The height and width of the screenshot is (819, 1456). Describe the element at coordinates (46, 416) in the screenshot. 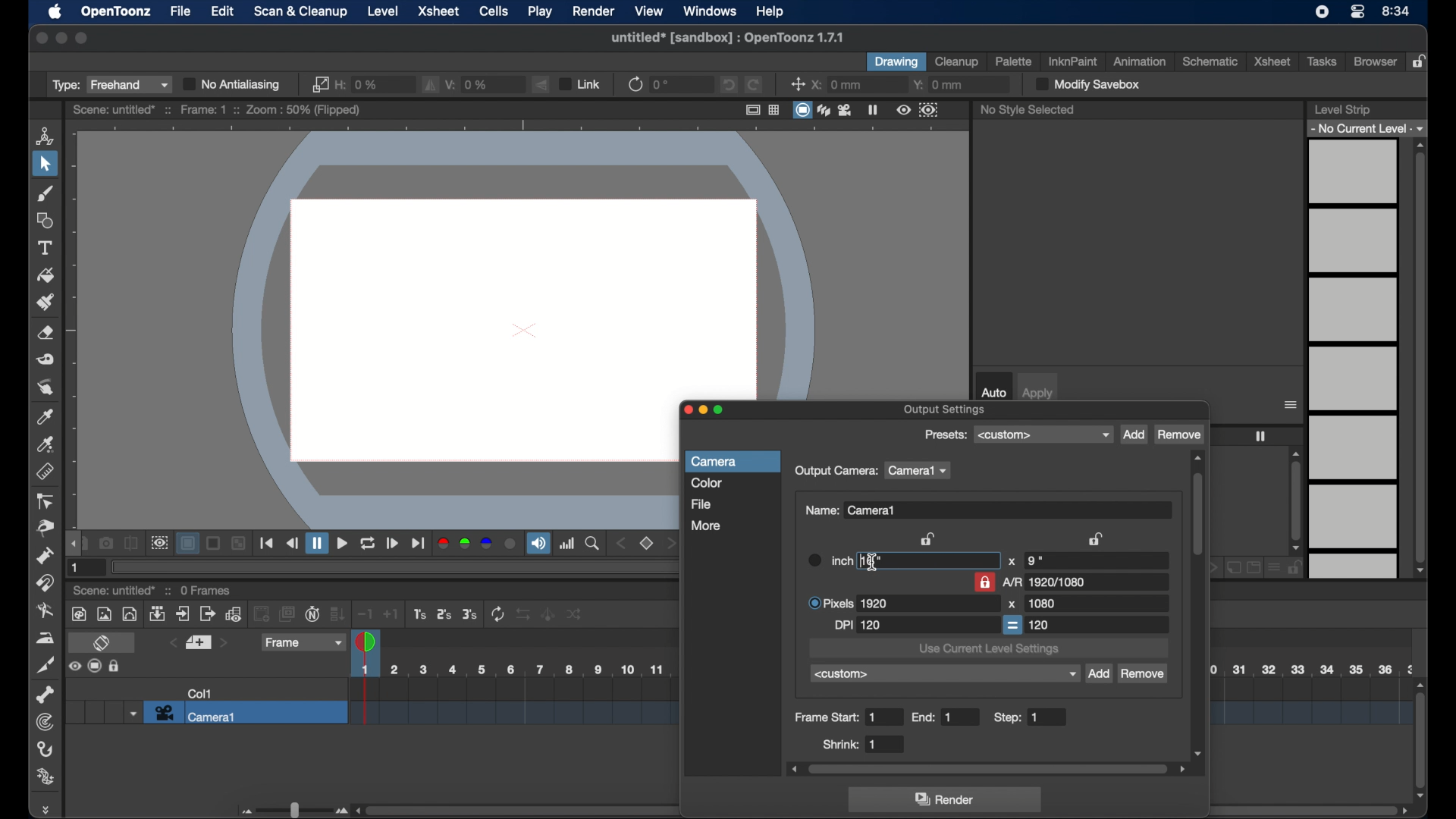

I see `color picker tool` at that location.